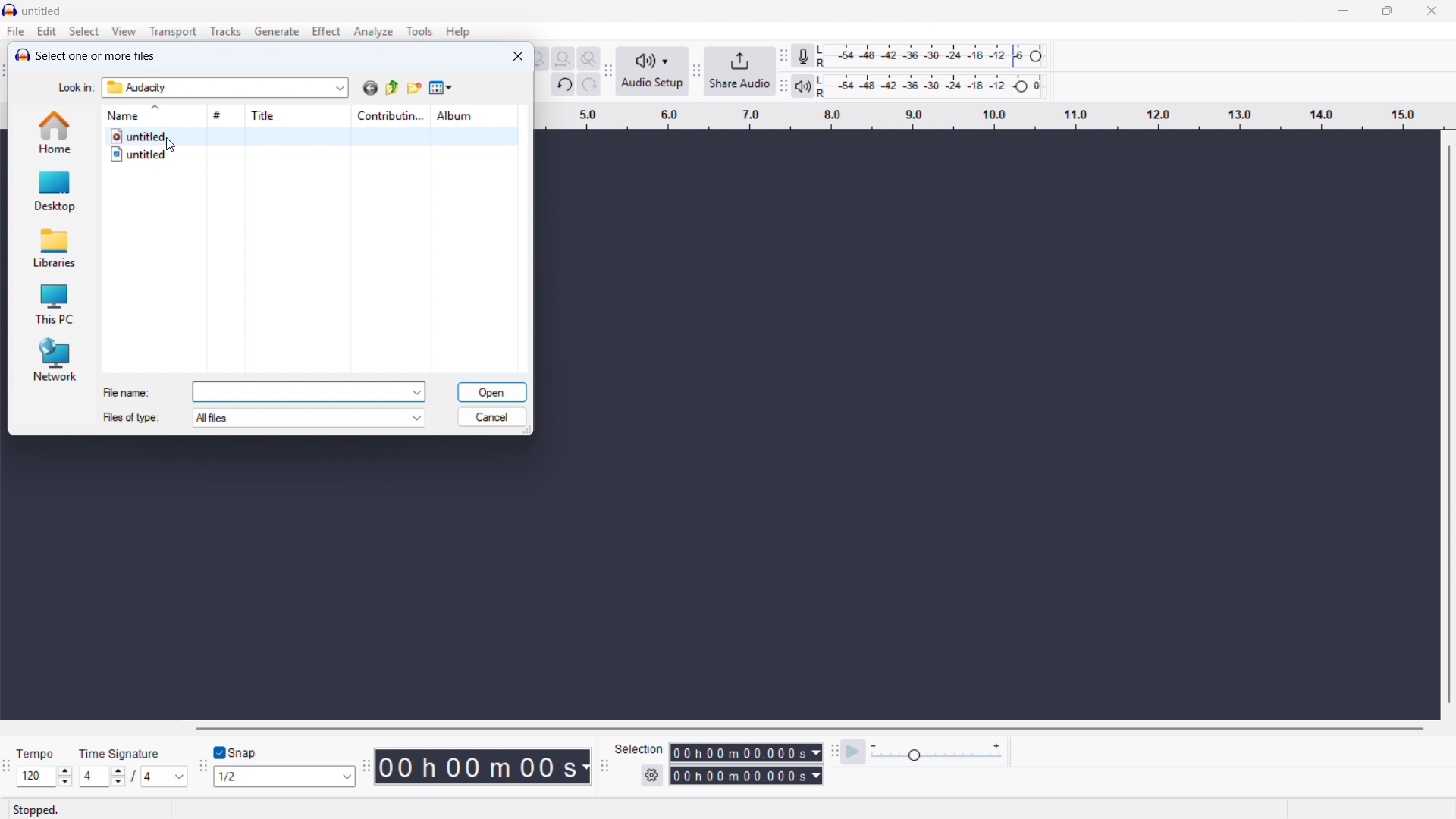 Image resolution: width=1456 pixels, height=819 pixels. I want to click on Close, so click(518, 56).